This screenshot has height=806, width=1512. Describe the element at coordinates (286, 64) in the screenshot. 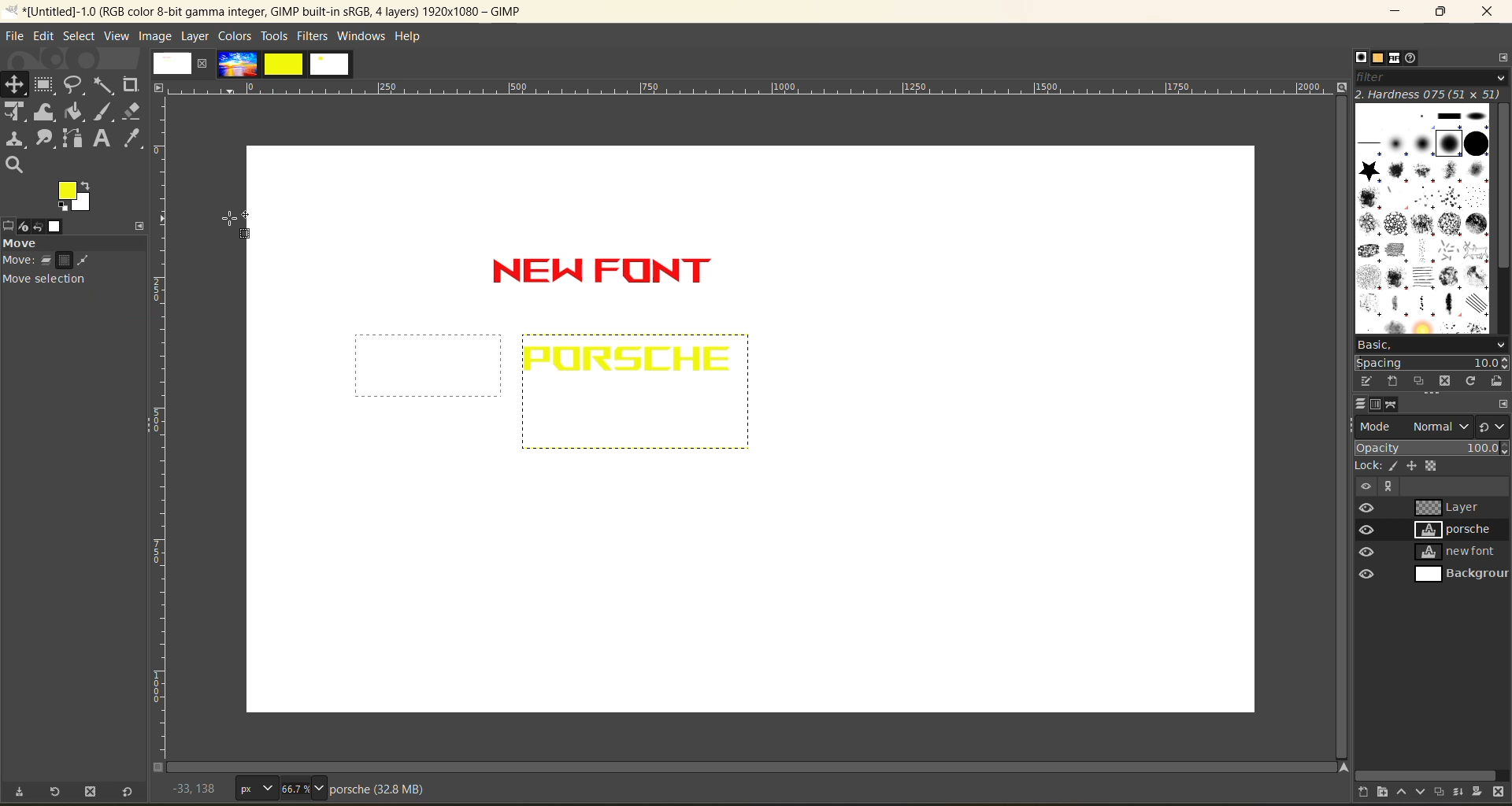

I see `images` at that location.